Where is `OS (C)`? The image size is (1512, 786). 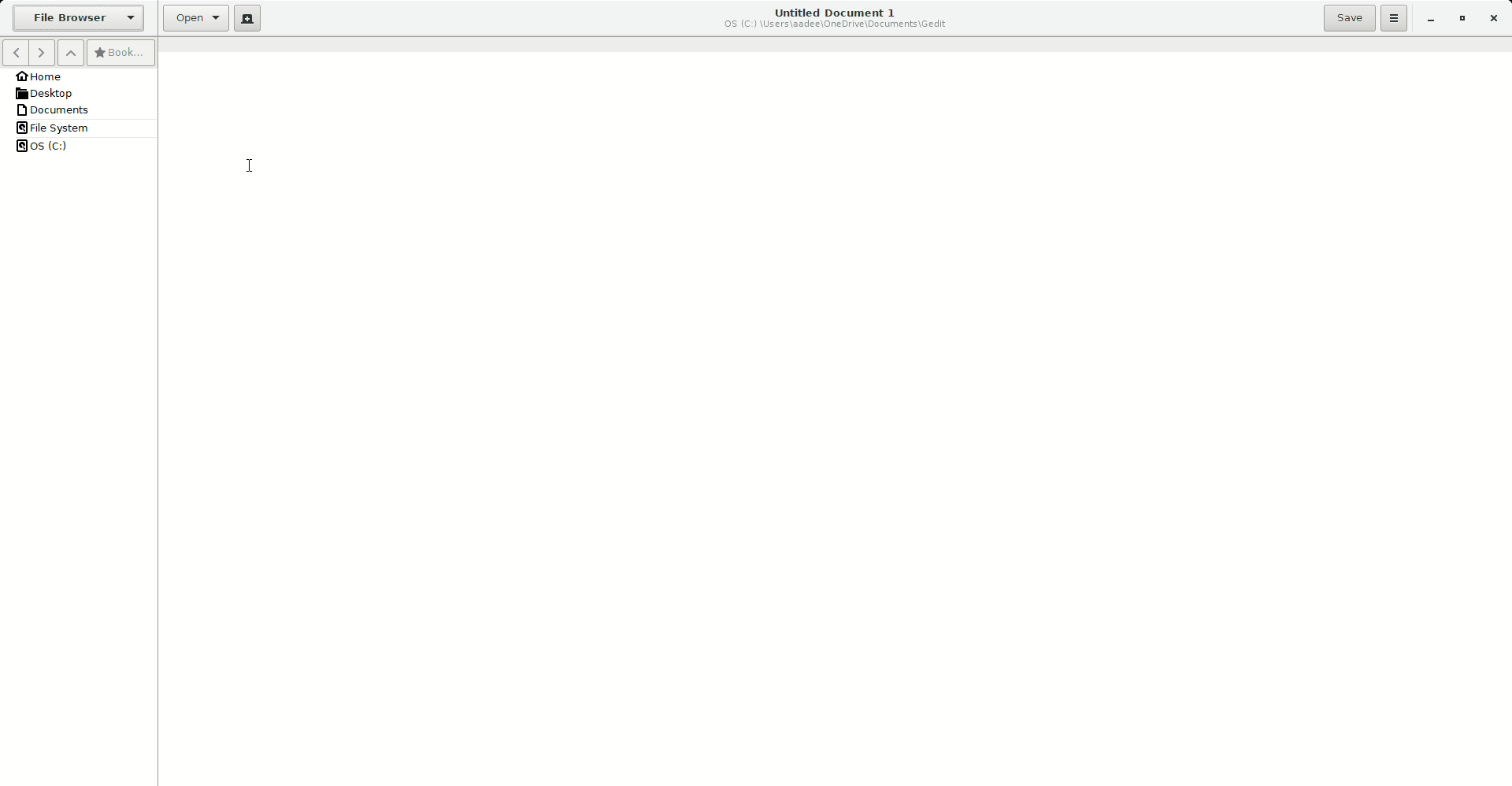 OS (C) is located at coordinates (52, 146).